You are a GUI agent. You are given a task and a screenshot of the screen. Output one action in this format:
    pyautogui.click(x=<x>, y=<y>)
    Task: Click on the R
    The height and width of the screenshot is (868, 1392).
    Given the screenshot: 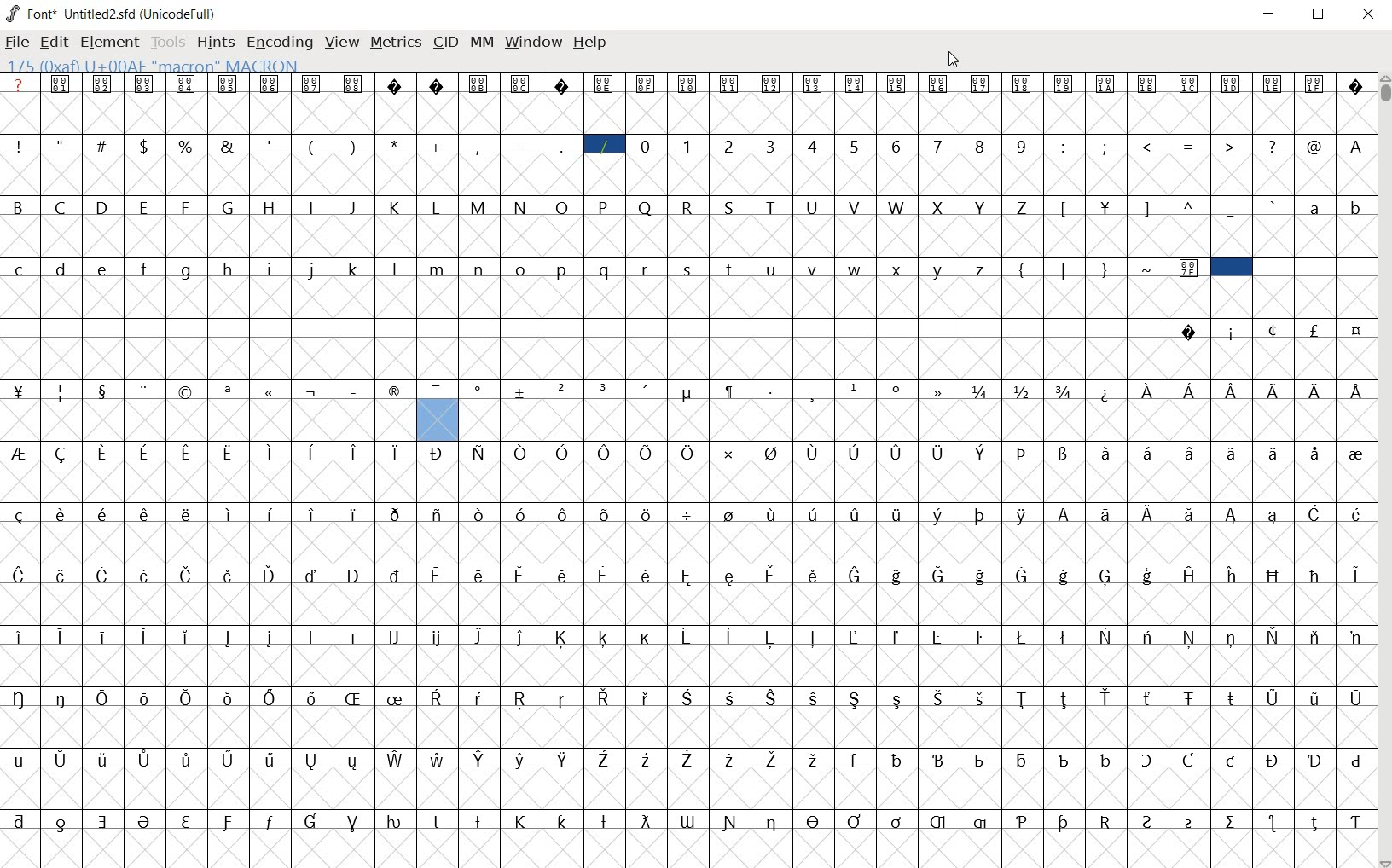 What is the action you would take?
    pyautogui.click(x=689, y=206)
    